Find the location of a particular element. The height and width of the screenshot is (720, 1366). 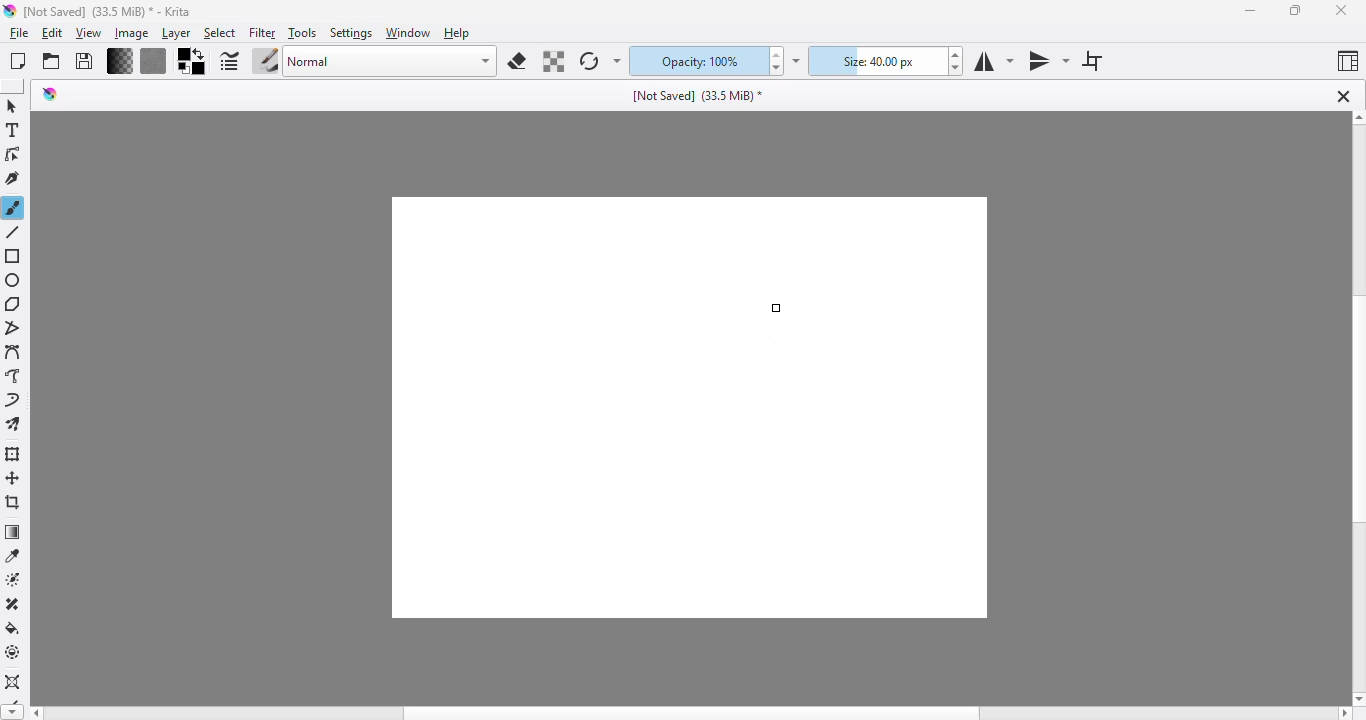

window is located at coordinates (409, 33).